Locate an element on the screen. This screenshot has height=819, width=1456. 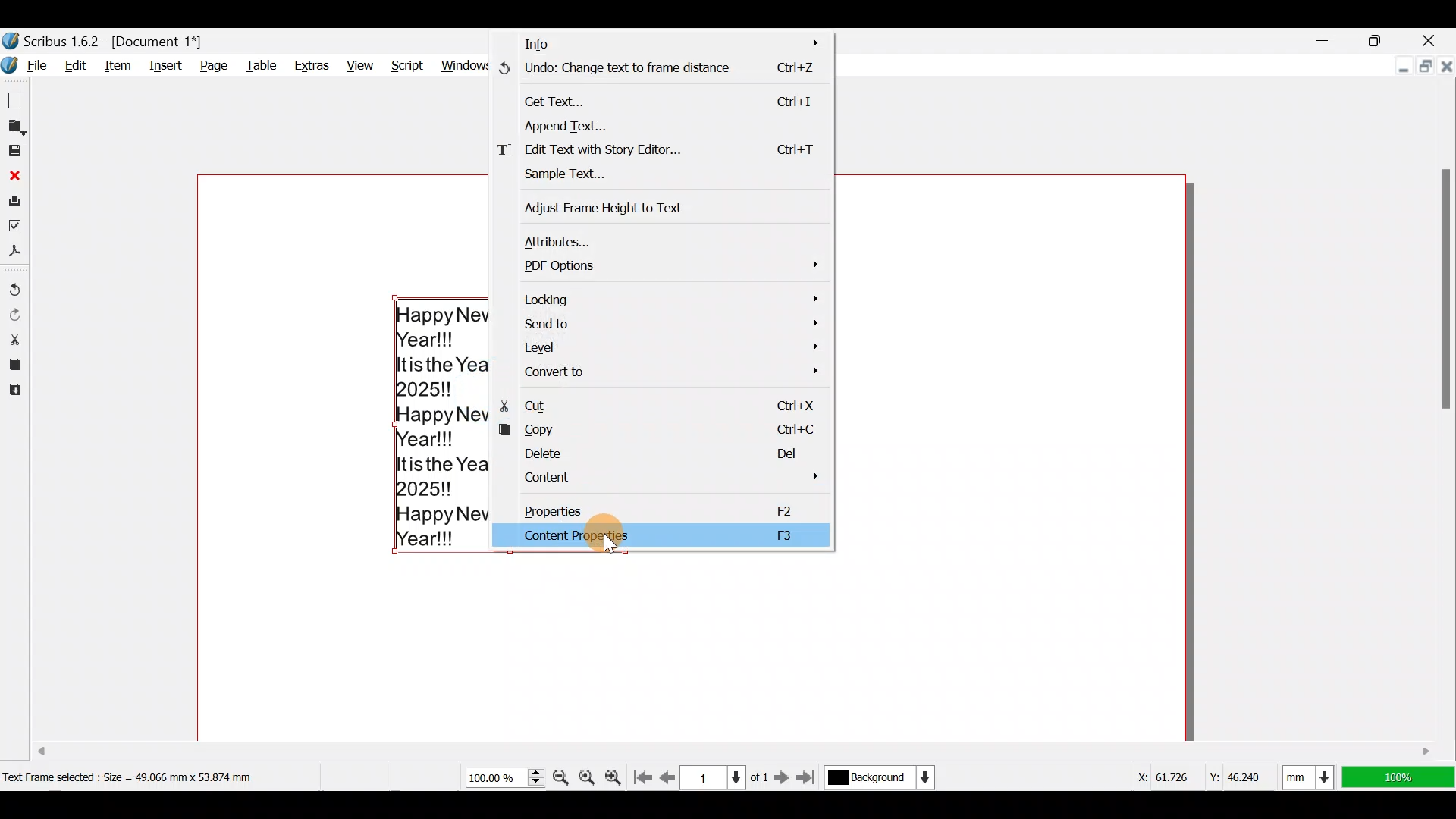
Delete is located at coordinates (663, 453).